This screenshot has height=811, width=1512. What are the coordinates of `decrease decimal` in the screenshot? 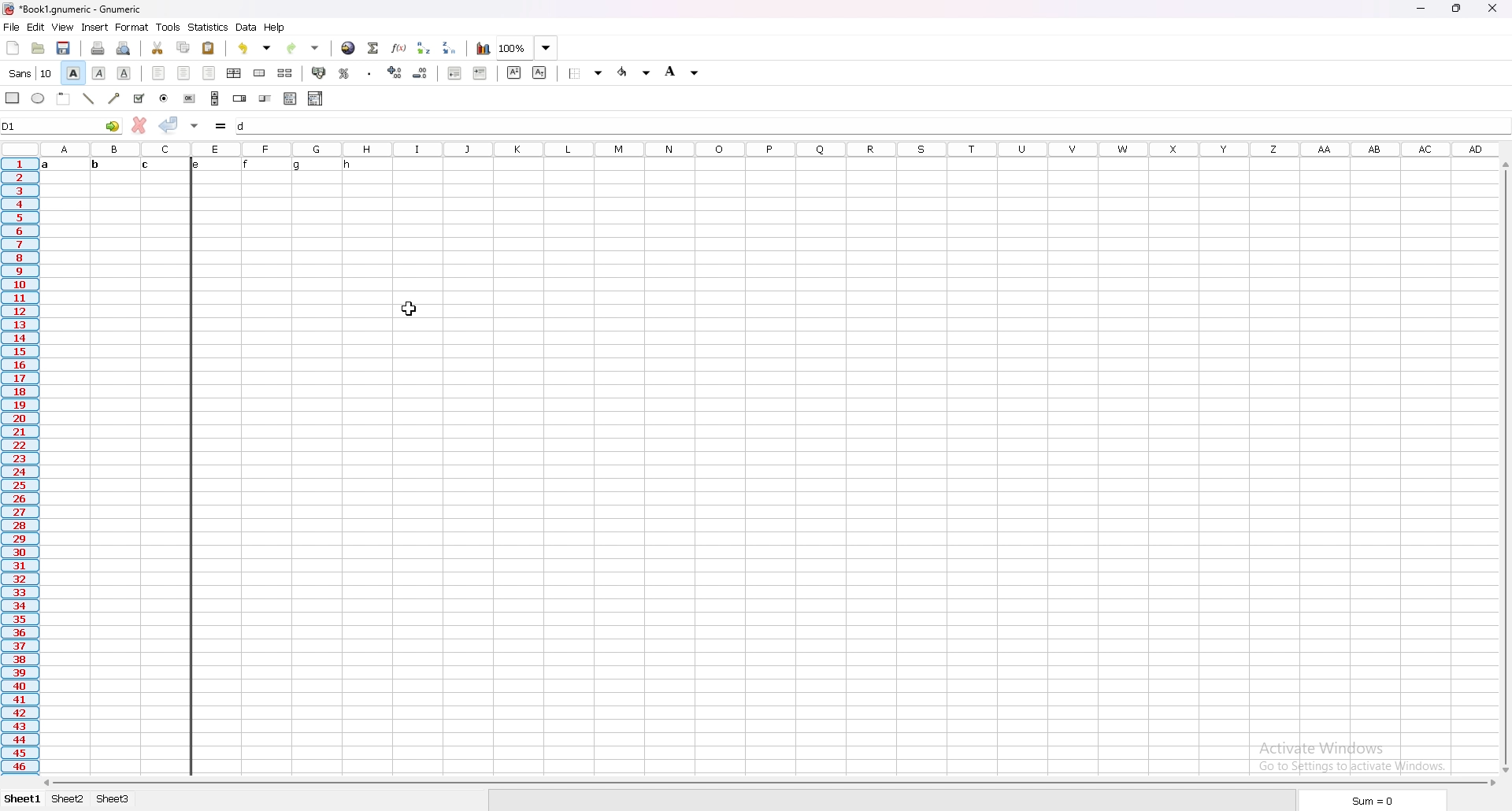 It's located at (421, 73).